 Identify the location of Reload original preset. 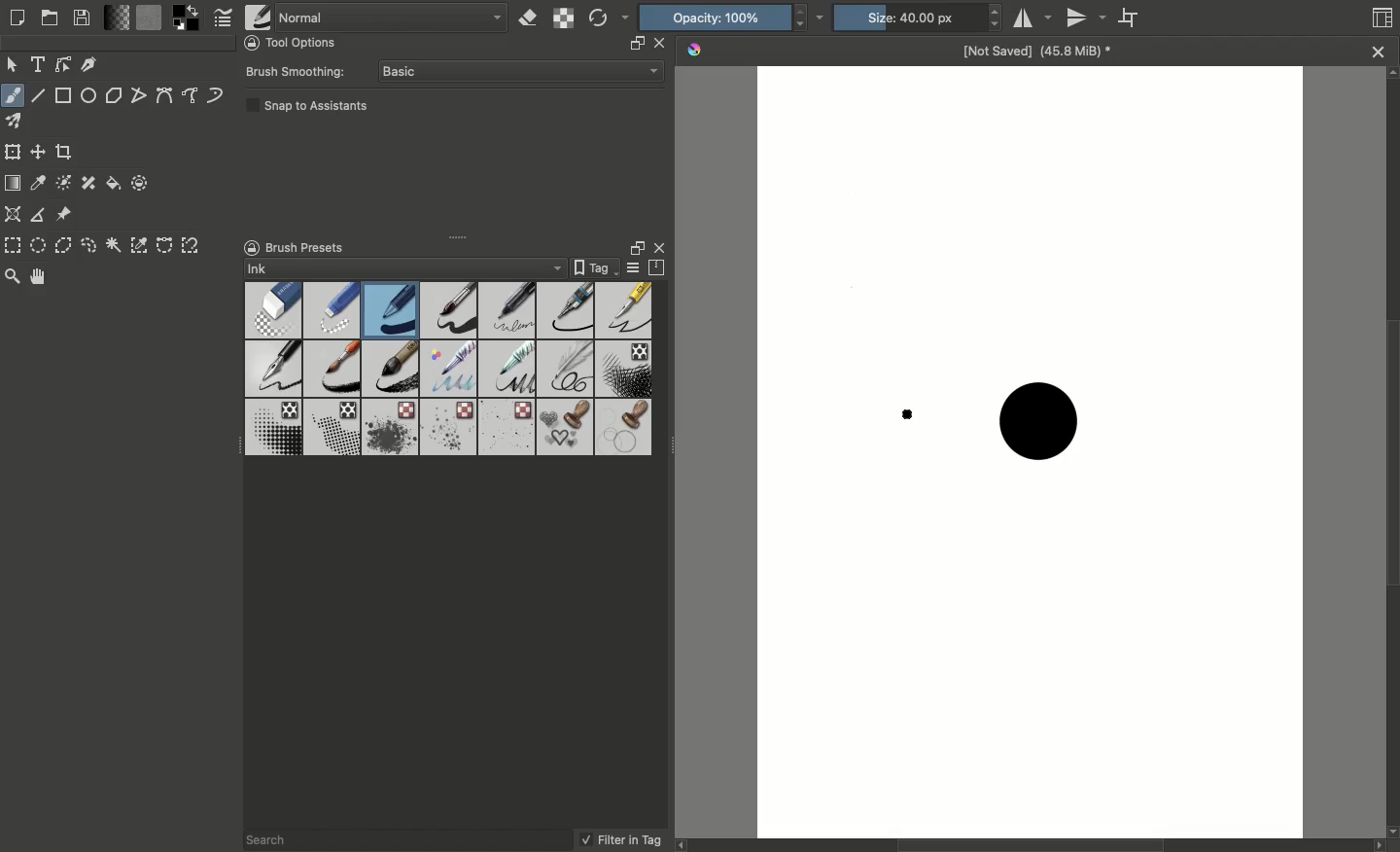
(608, 19).